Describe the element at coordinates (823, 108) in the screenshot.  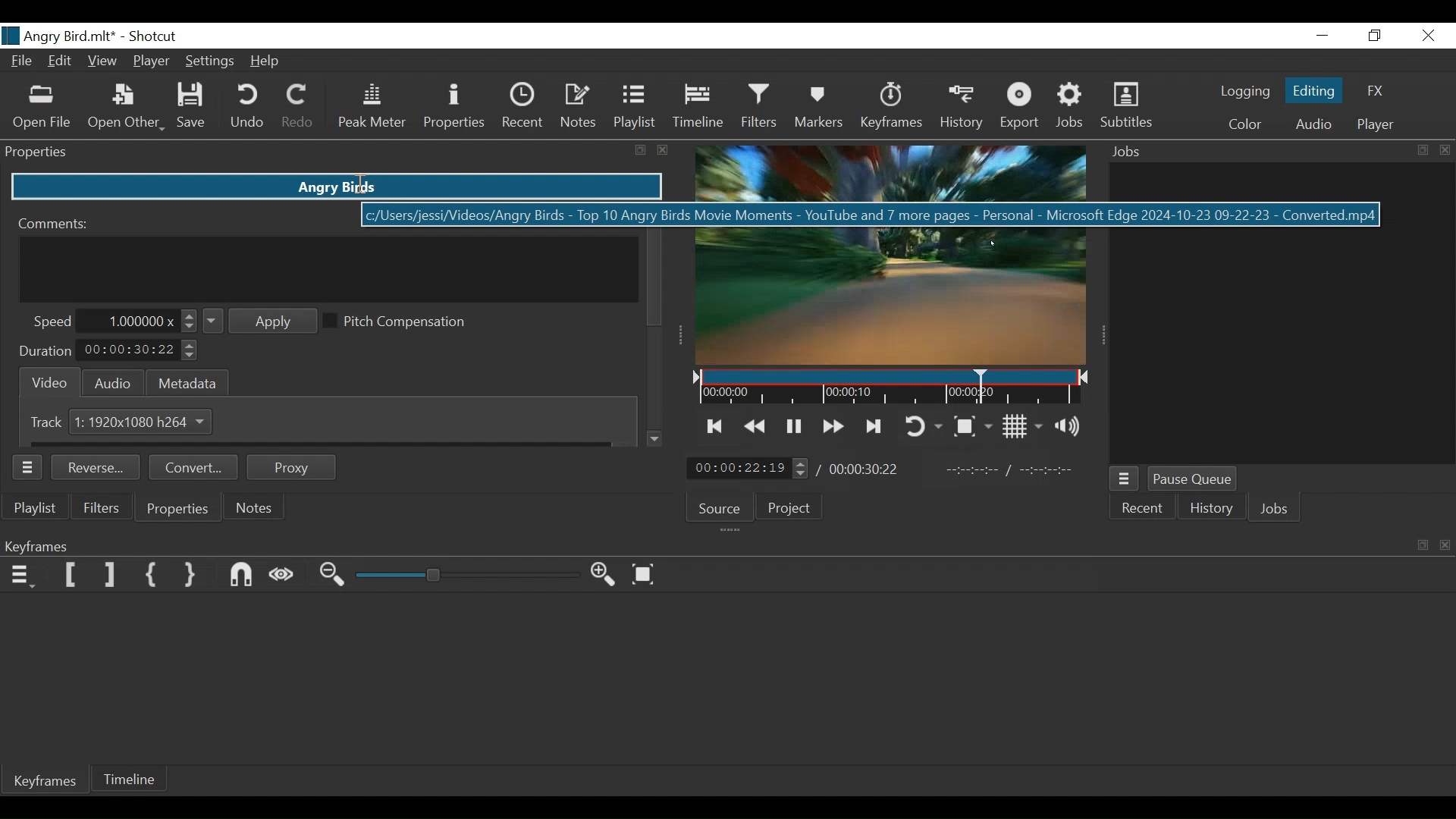
I see `Markers` at that location.